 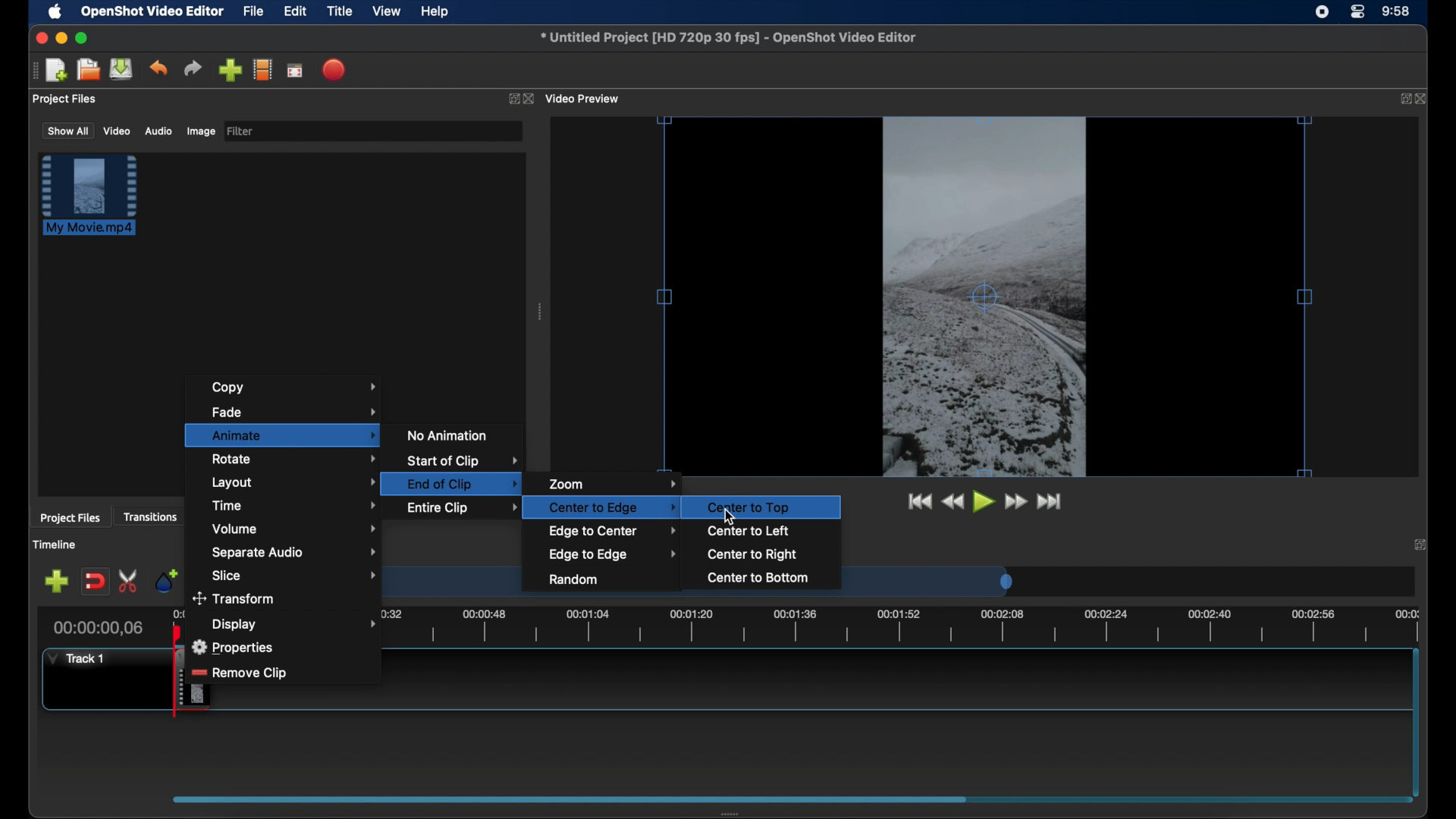 What do you see at coordinates (985, 298) in the screenshot?
I see `video preview` at bounding box center [985, 298].